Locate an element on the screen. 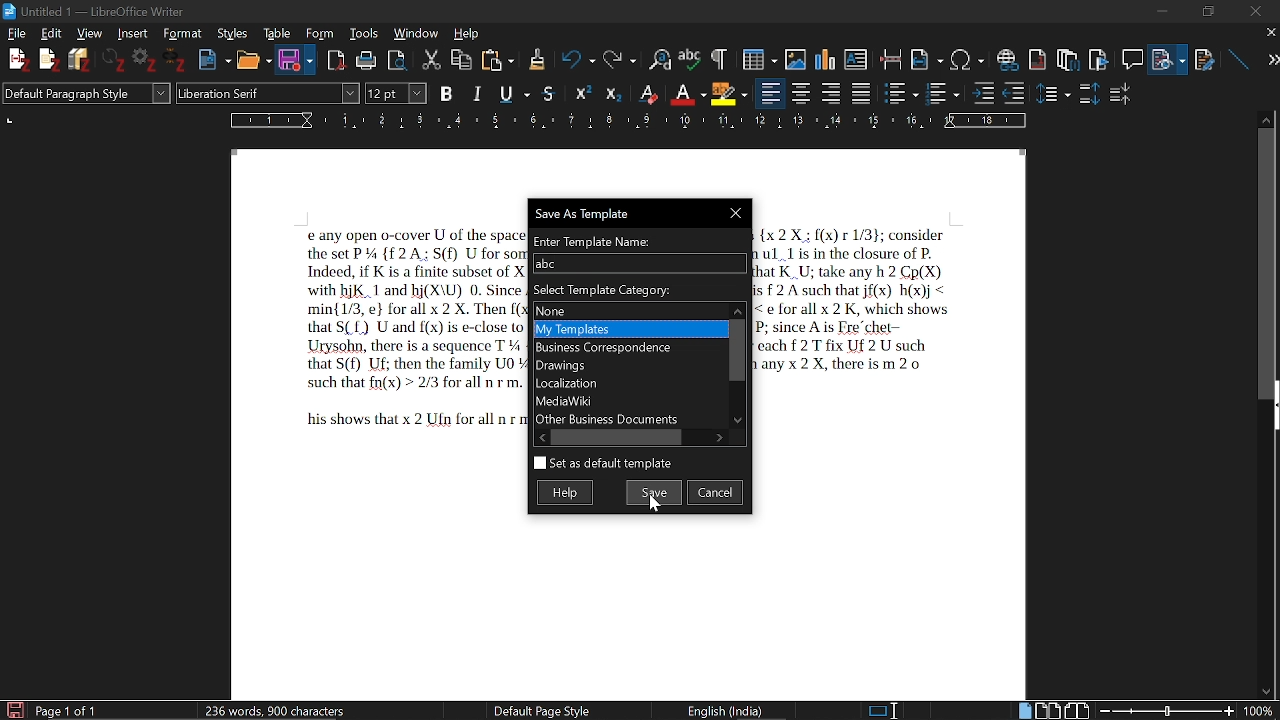 The image size is (1280, 720). Insert Image is located at coordinates (788, 56).